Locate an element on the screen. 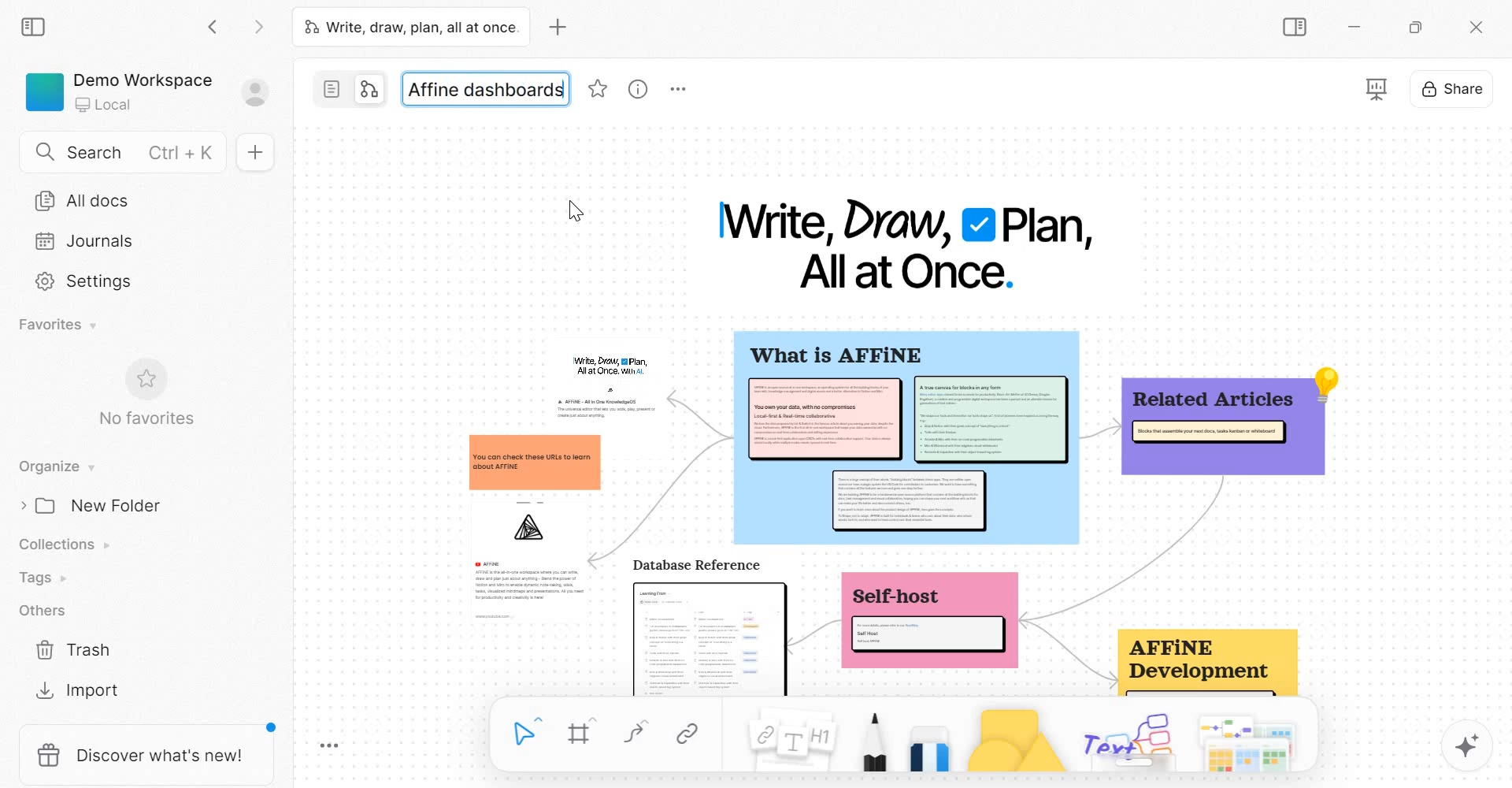 The height and width of the screenshot is (788, 1512). magic tool is located at coordinates (1466, 748).